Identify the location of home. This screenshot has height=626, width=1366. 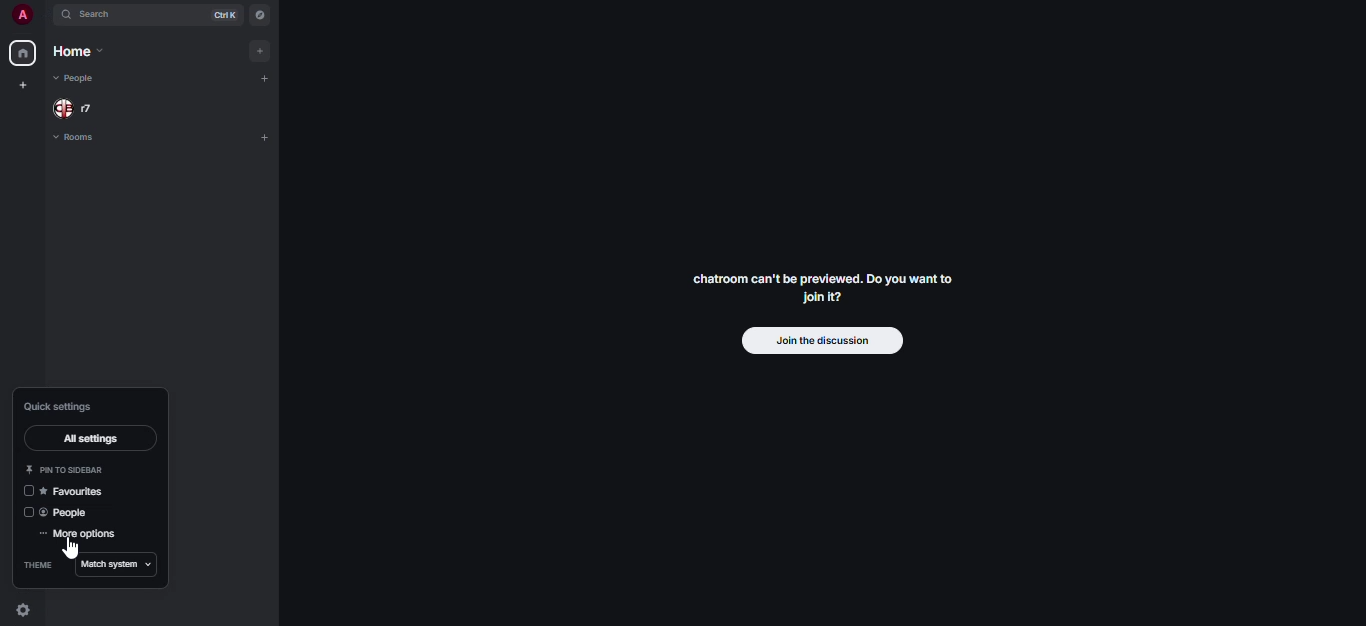
(25, 53).